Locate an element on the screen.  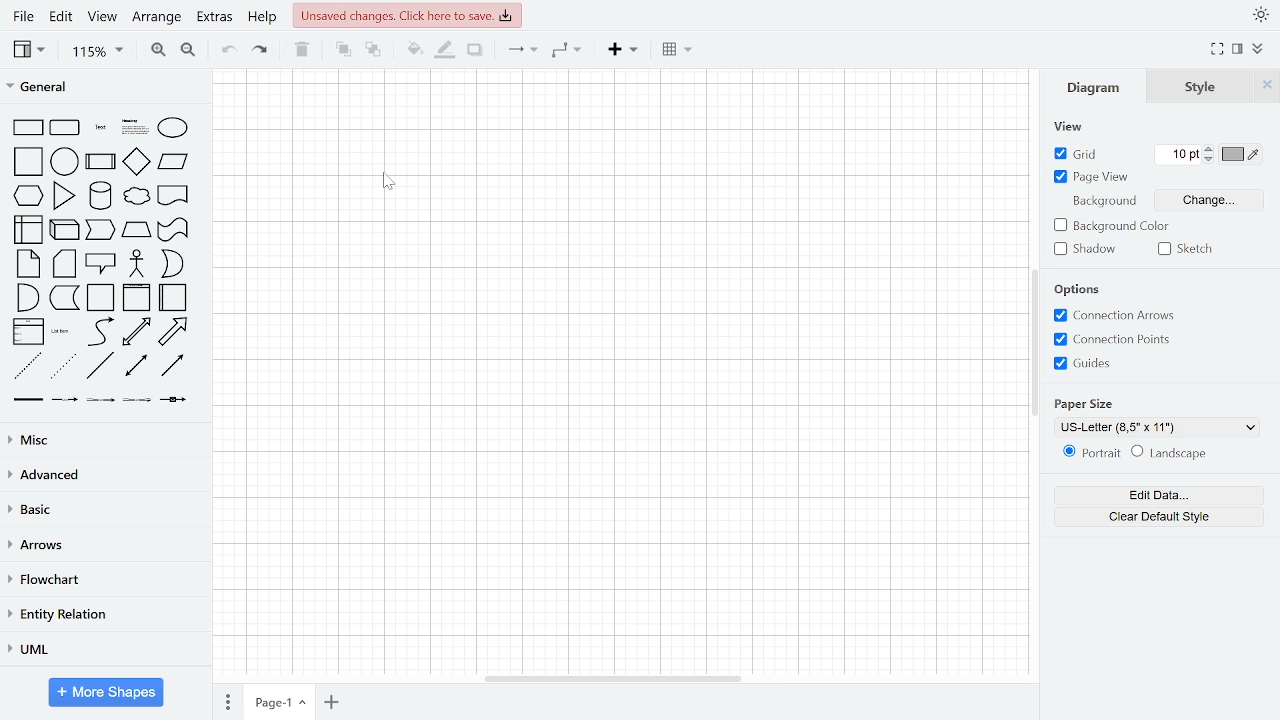
text box is located at coordinates (133, 127).